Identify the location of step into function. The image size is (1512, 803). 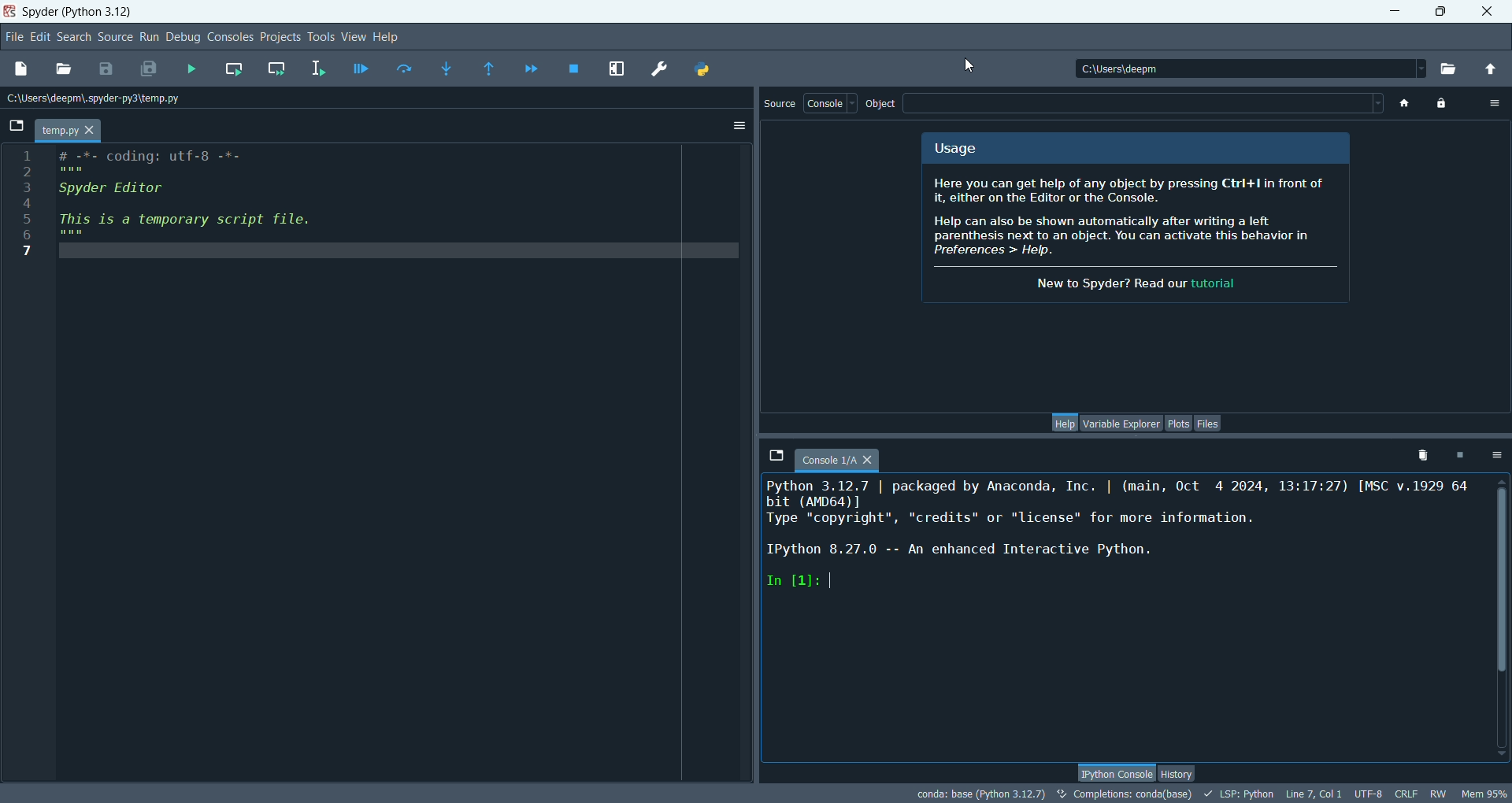
(446, 68).